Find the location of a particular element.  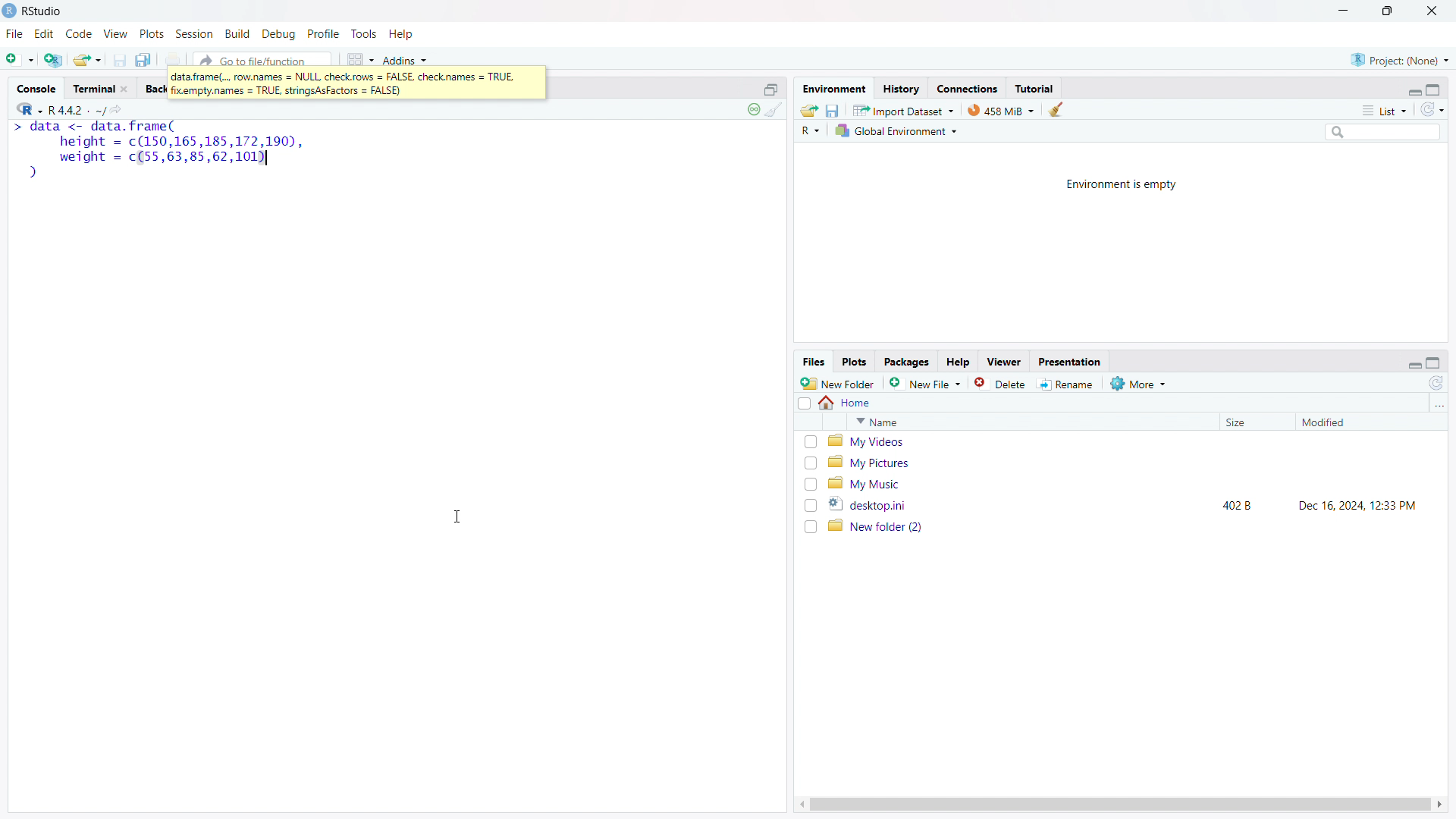

weight = c(55,63,85,62,101) is located at coordinates (163, 158).